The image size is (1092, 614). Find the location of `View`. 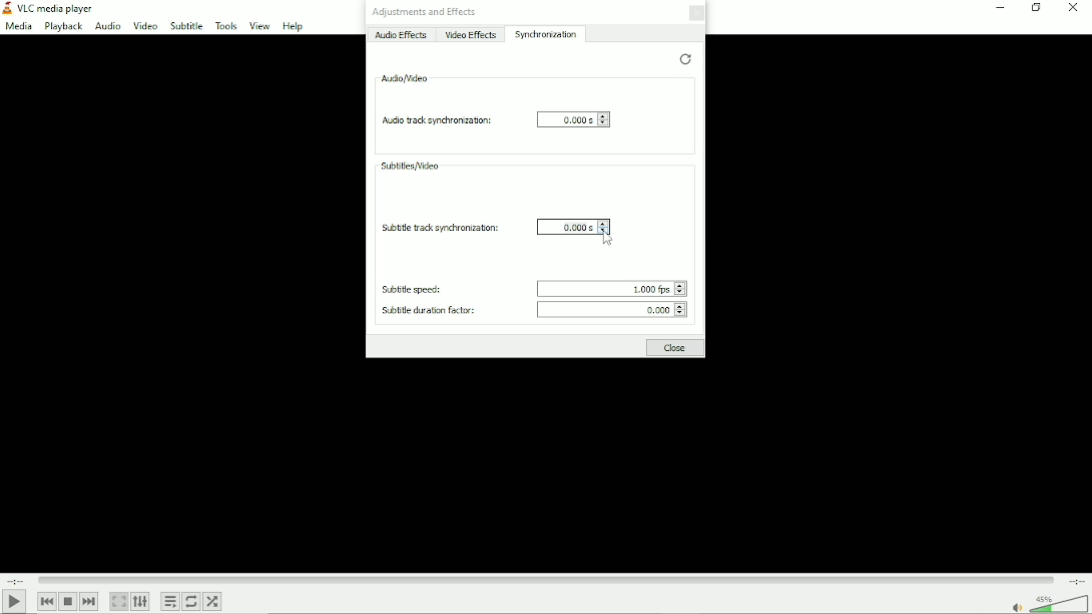

View is located at coordinates (259, 25).